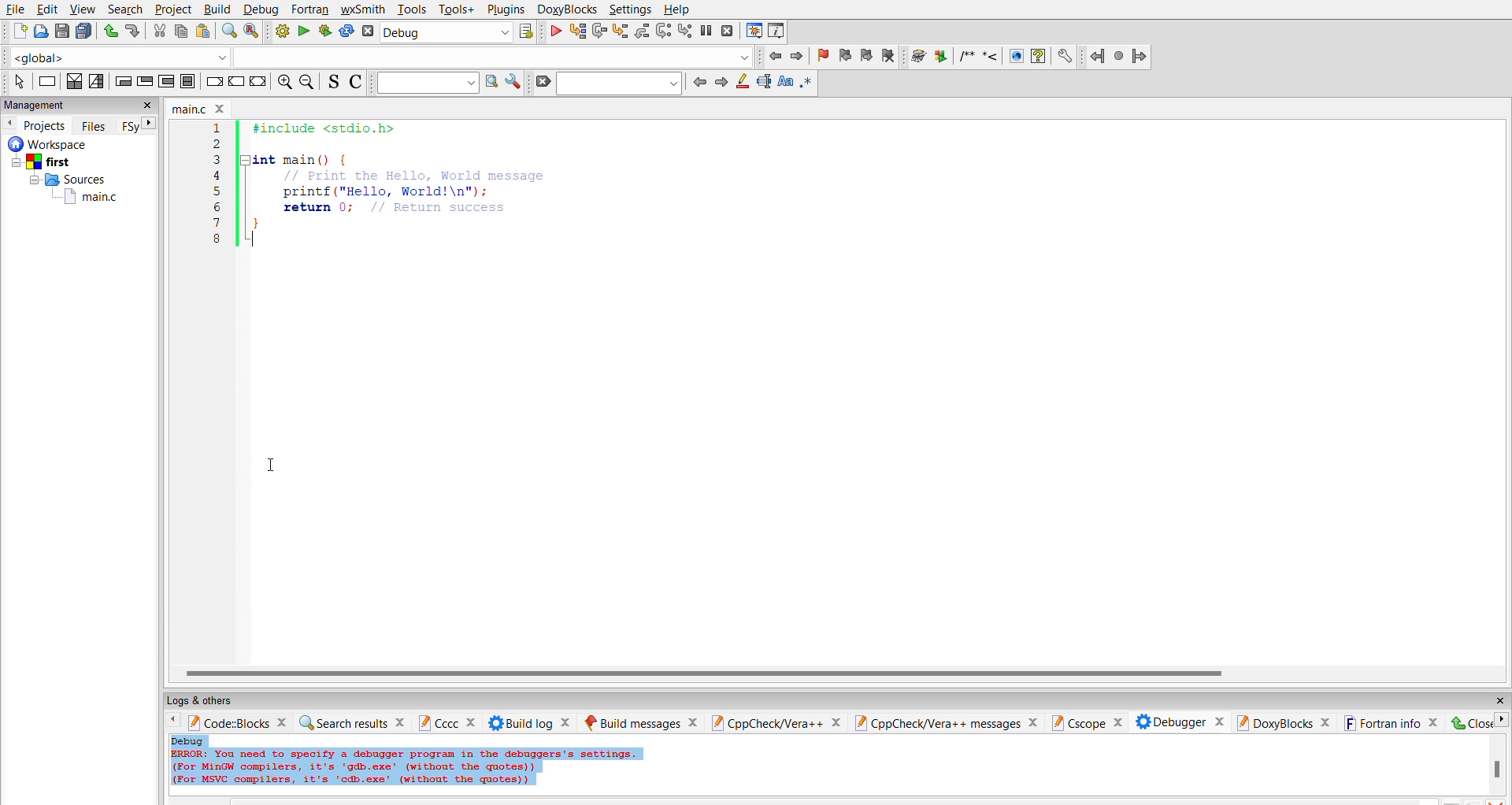  Describe the element at coordinates (148, 124) in the screenshot. I see `next` at that location.